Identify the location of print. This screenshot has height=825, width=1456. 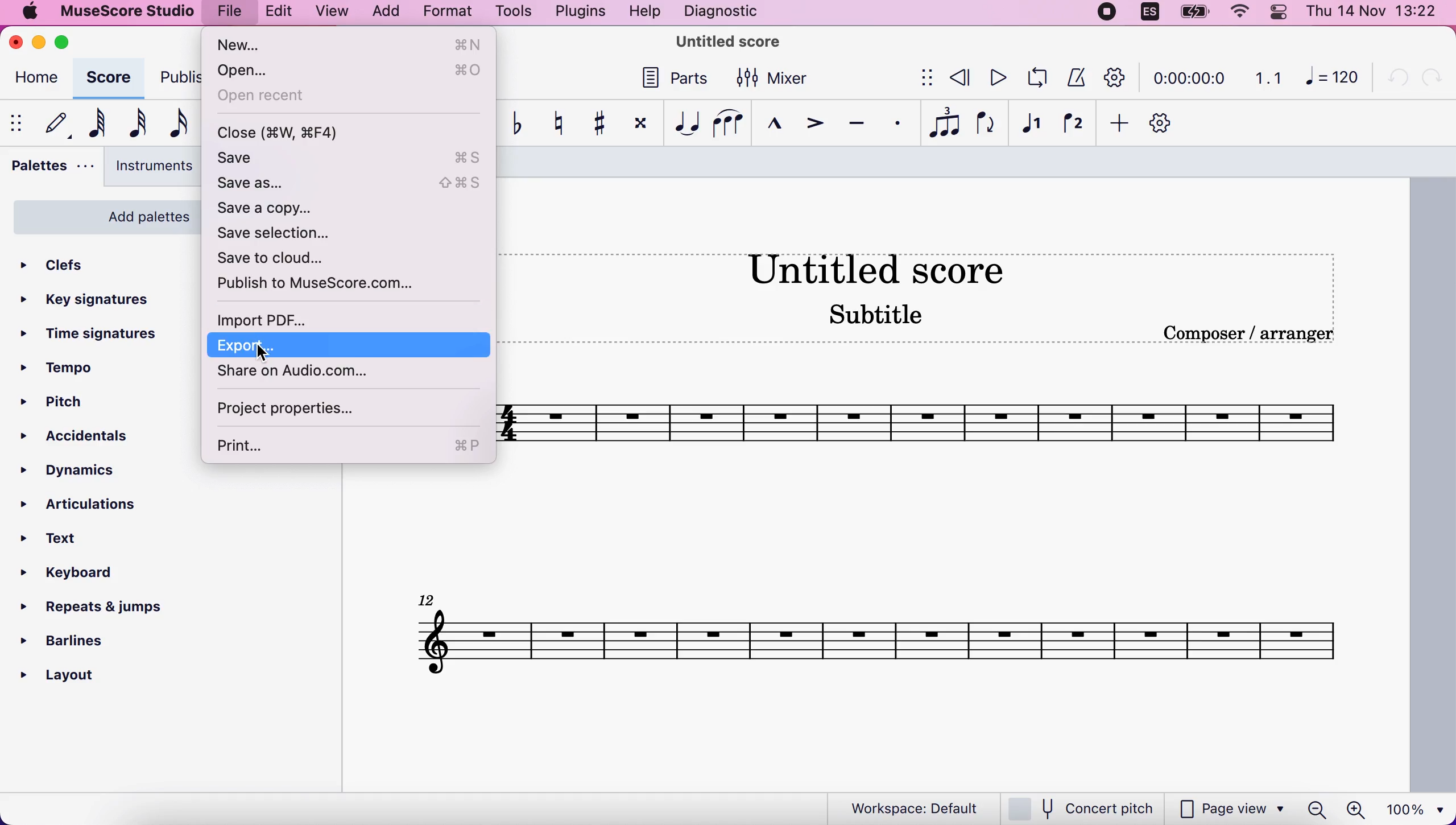
(349, 443).